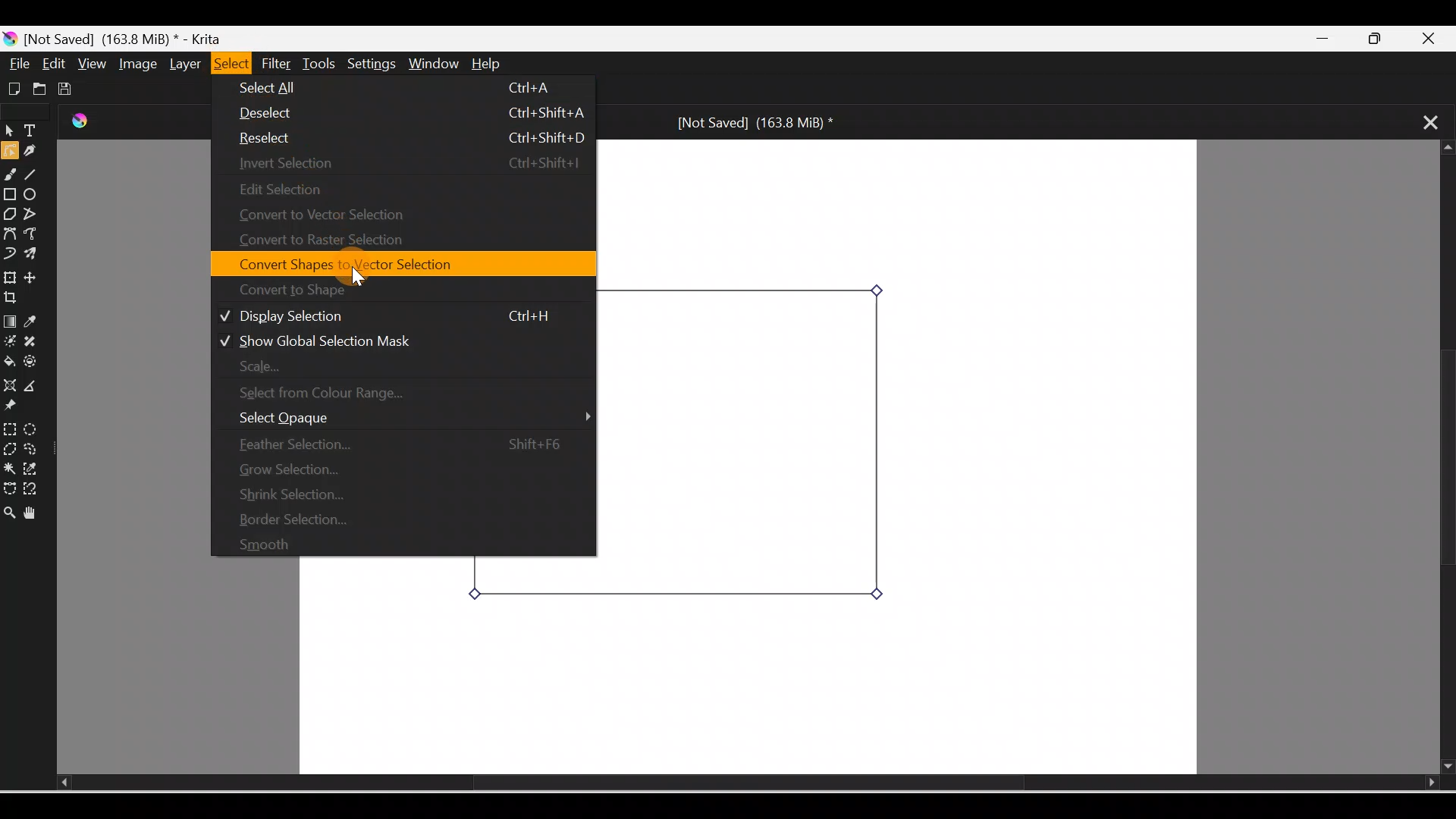 The height and width of the screenshot is (819, 1456). What do you see at coordinates (408, 137) in the screenshot?
I see `Reselect` at bounding box center [408, 137].